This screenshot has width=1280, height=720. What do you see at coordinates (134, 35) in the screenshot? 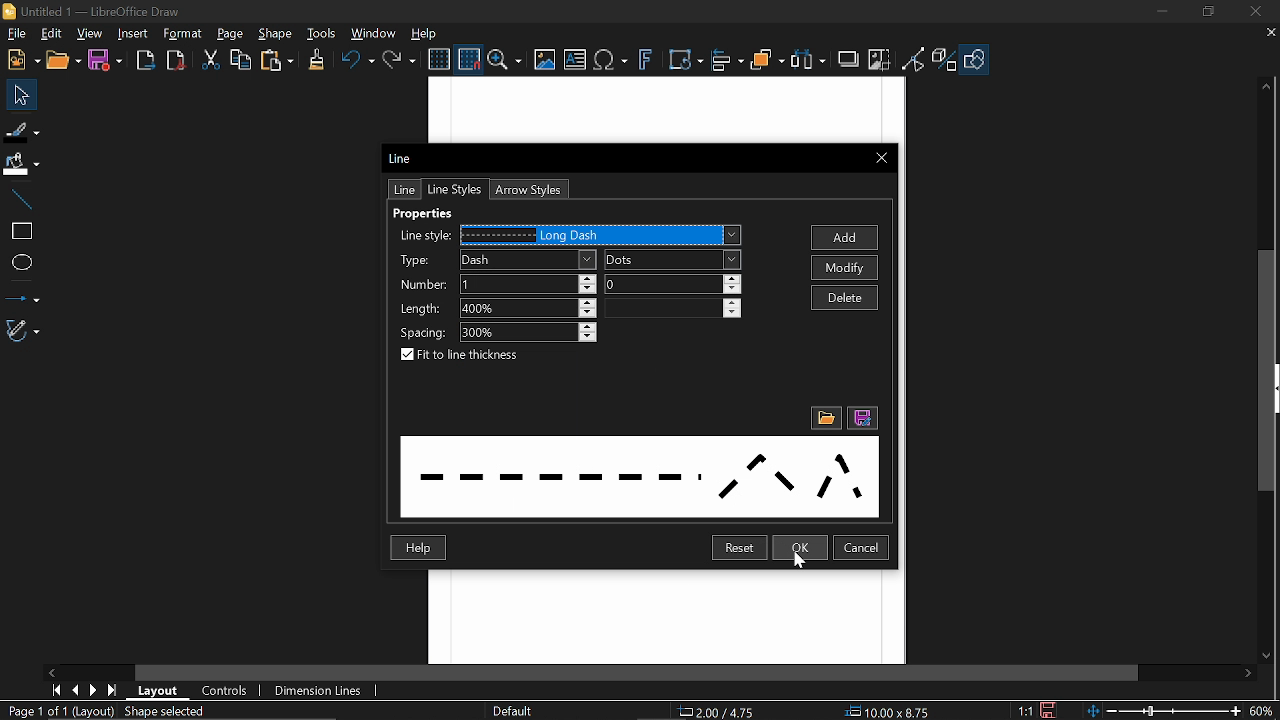
I see `Insert` at bounding box center [134, 35].